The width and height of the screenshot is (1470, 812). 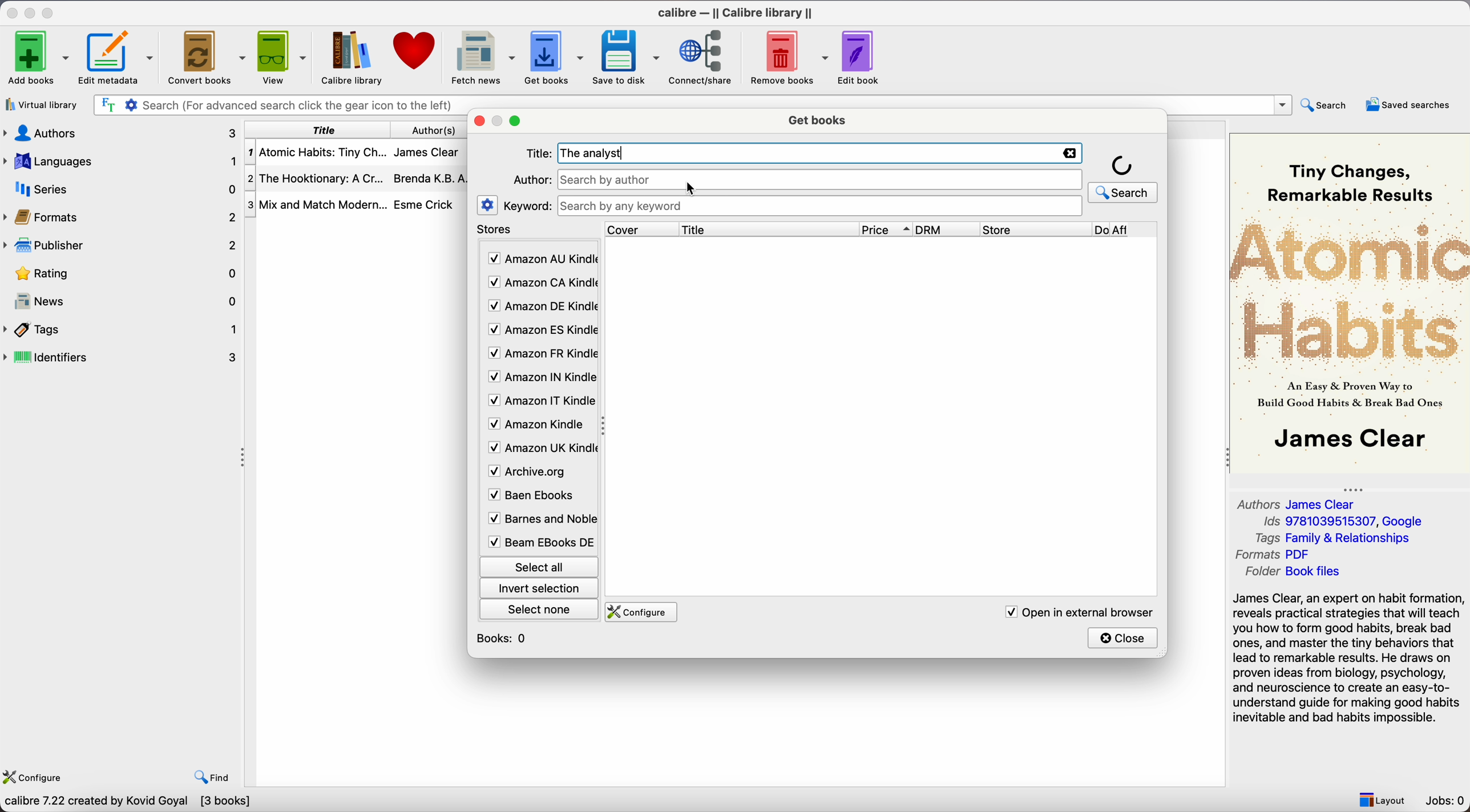 I want to click on stores, so click(x=497, y=231).